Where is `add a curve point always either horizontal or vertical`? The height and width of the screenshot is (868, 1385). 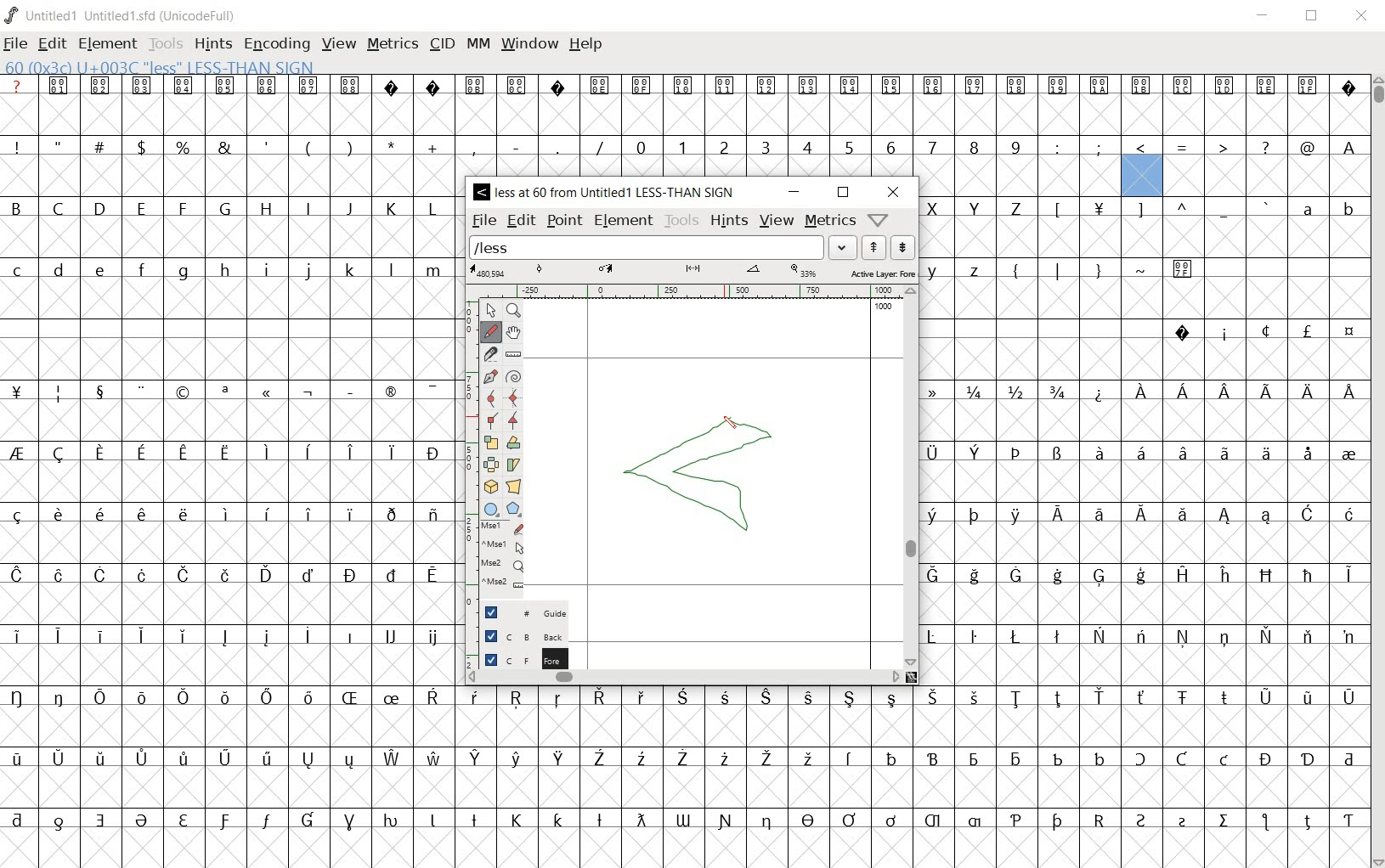 add a curve point always either horizontal or vertical is located at coordinates (512, 397).